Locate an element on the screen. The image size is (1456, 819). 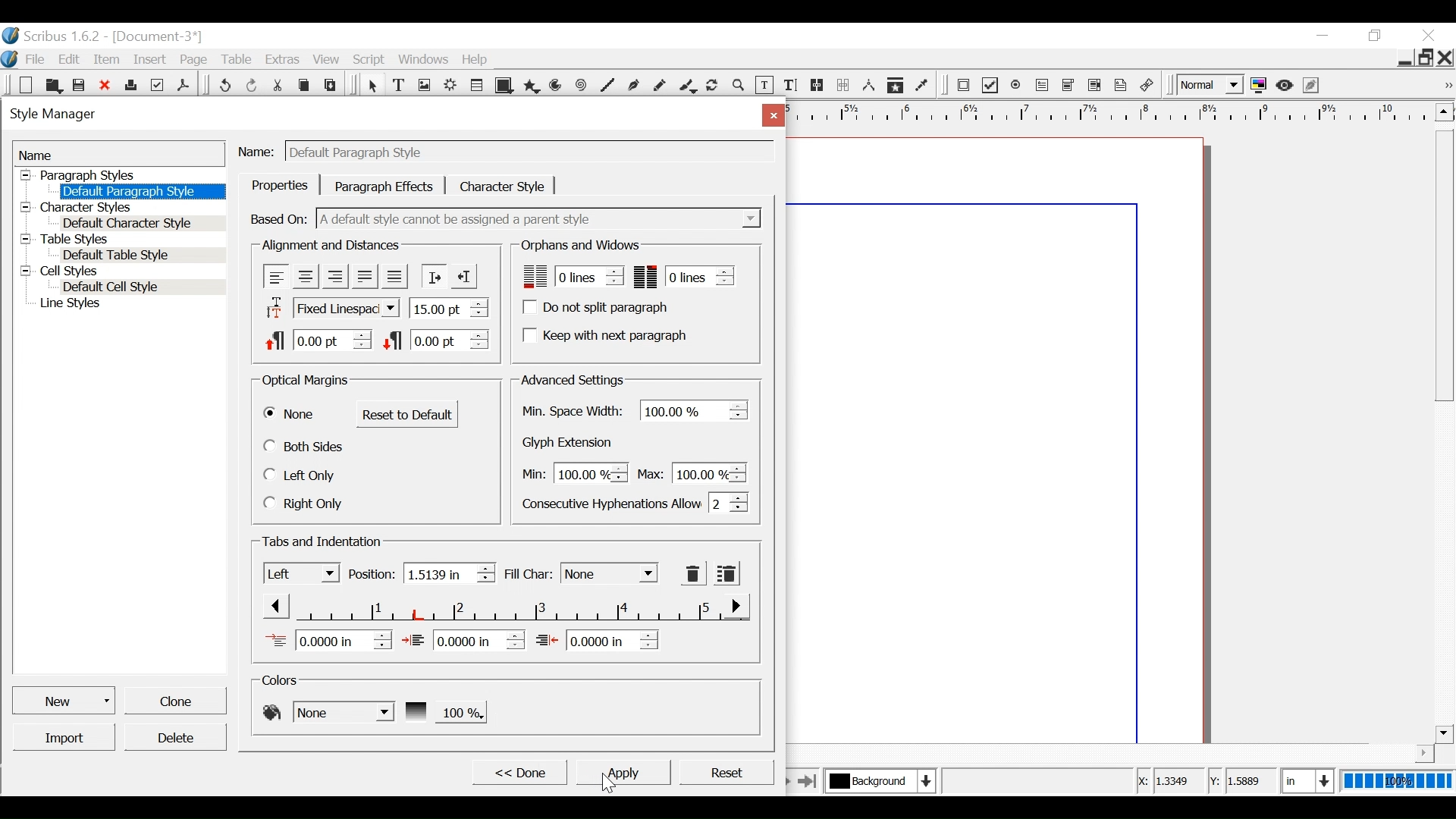
Toggle color is located at coordinates (1260, 86).